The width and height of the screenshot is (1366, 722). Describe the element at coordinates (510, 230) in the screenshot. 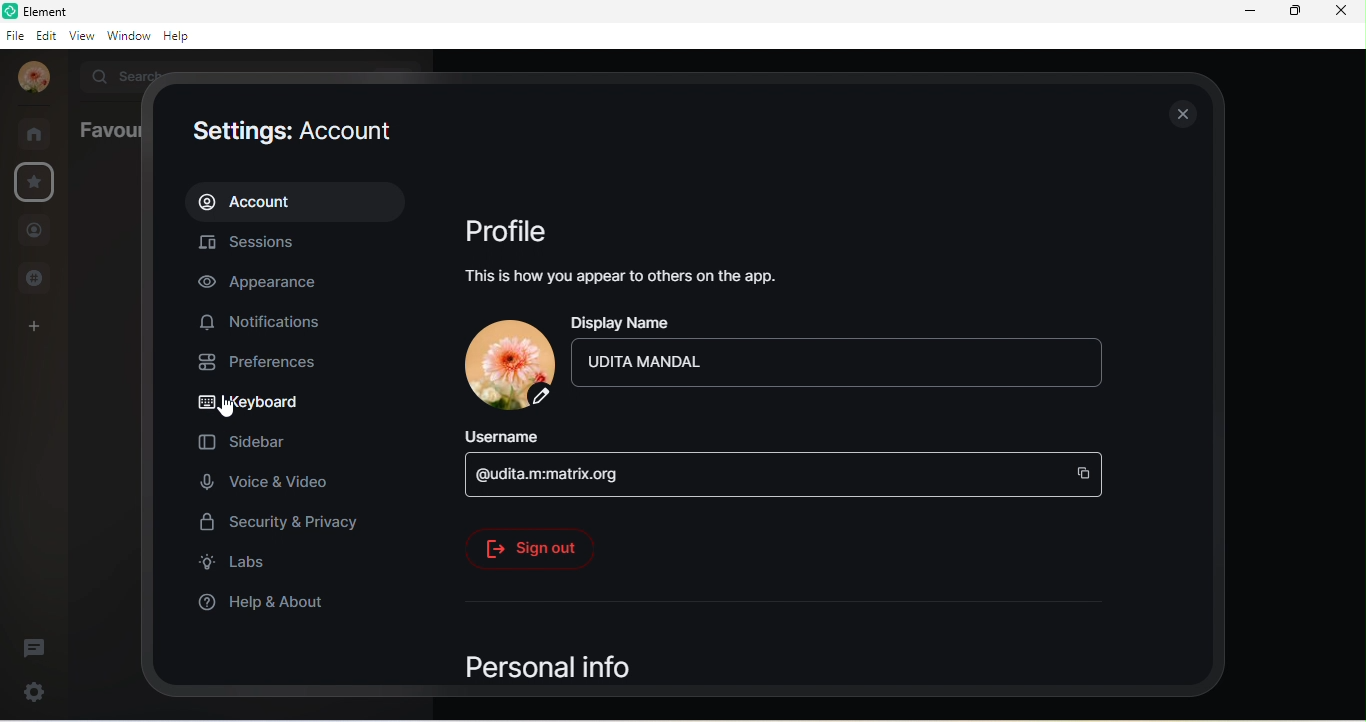

I see `profile` at that location.